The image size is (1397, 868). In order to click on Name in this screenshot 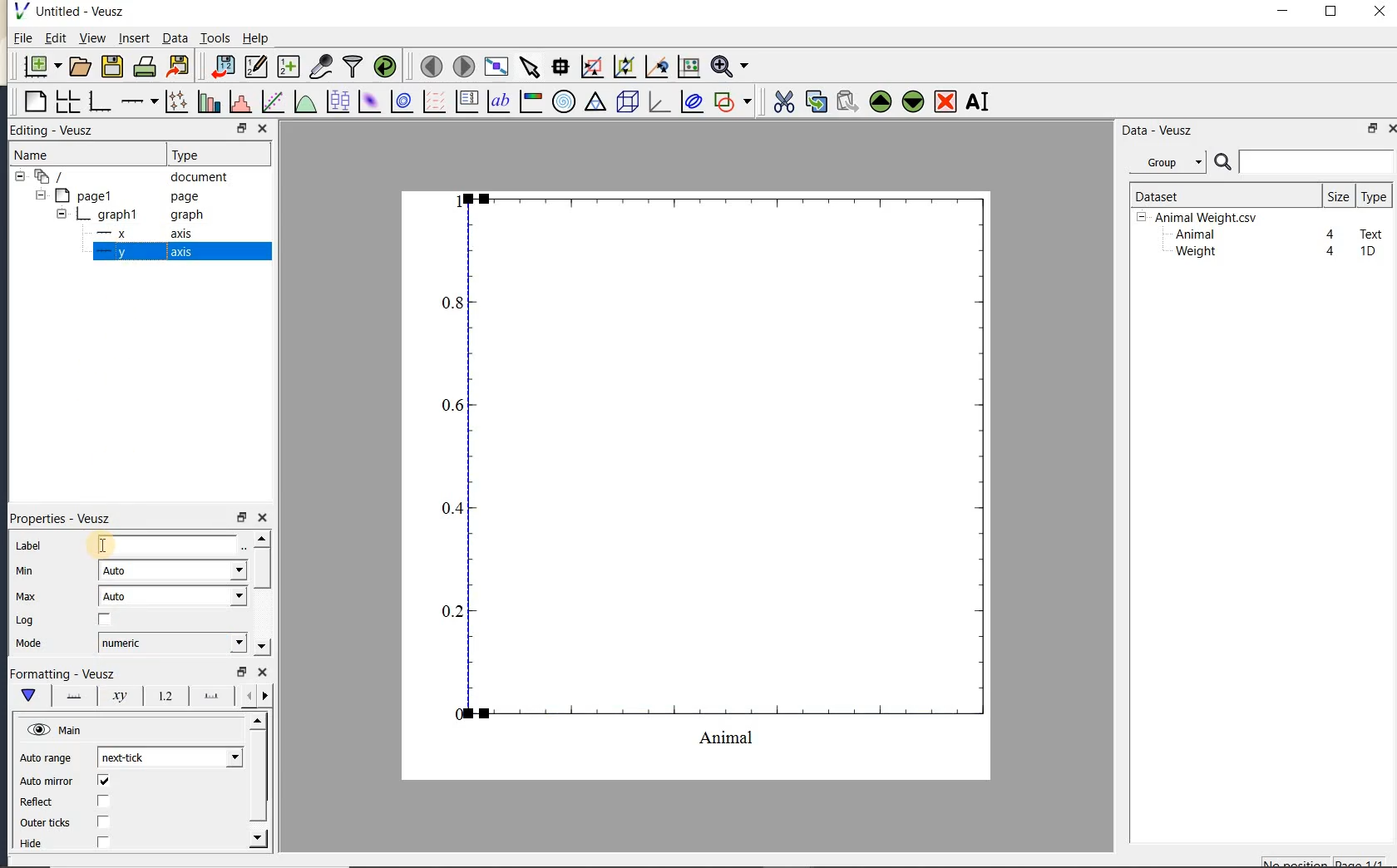, I will do `click(49, 155)`.